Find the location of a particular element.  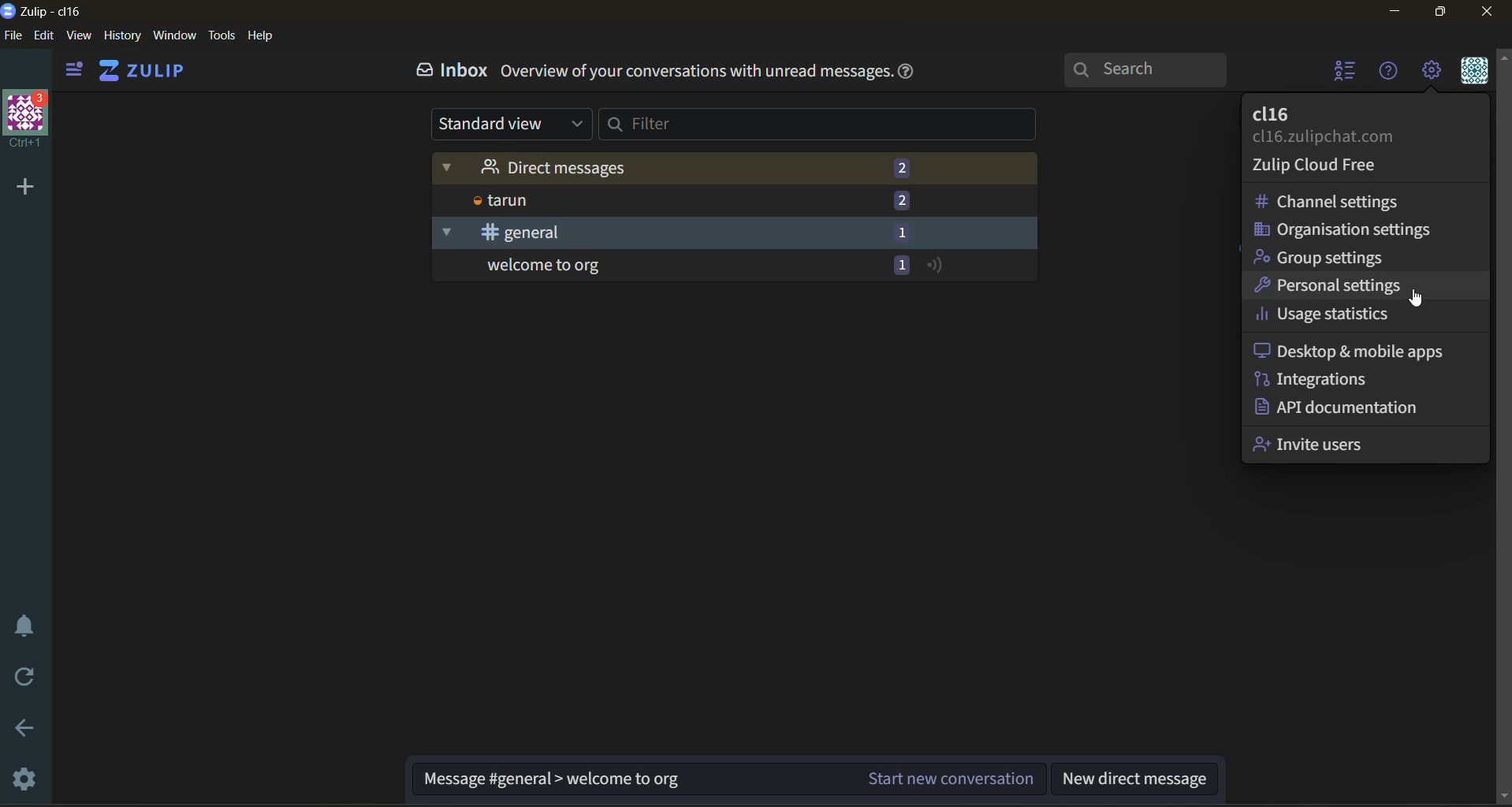

standard view is located at coordinates (508, 124).